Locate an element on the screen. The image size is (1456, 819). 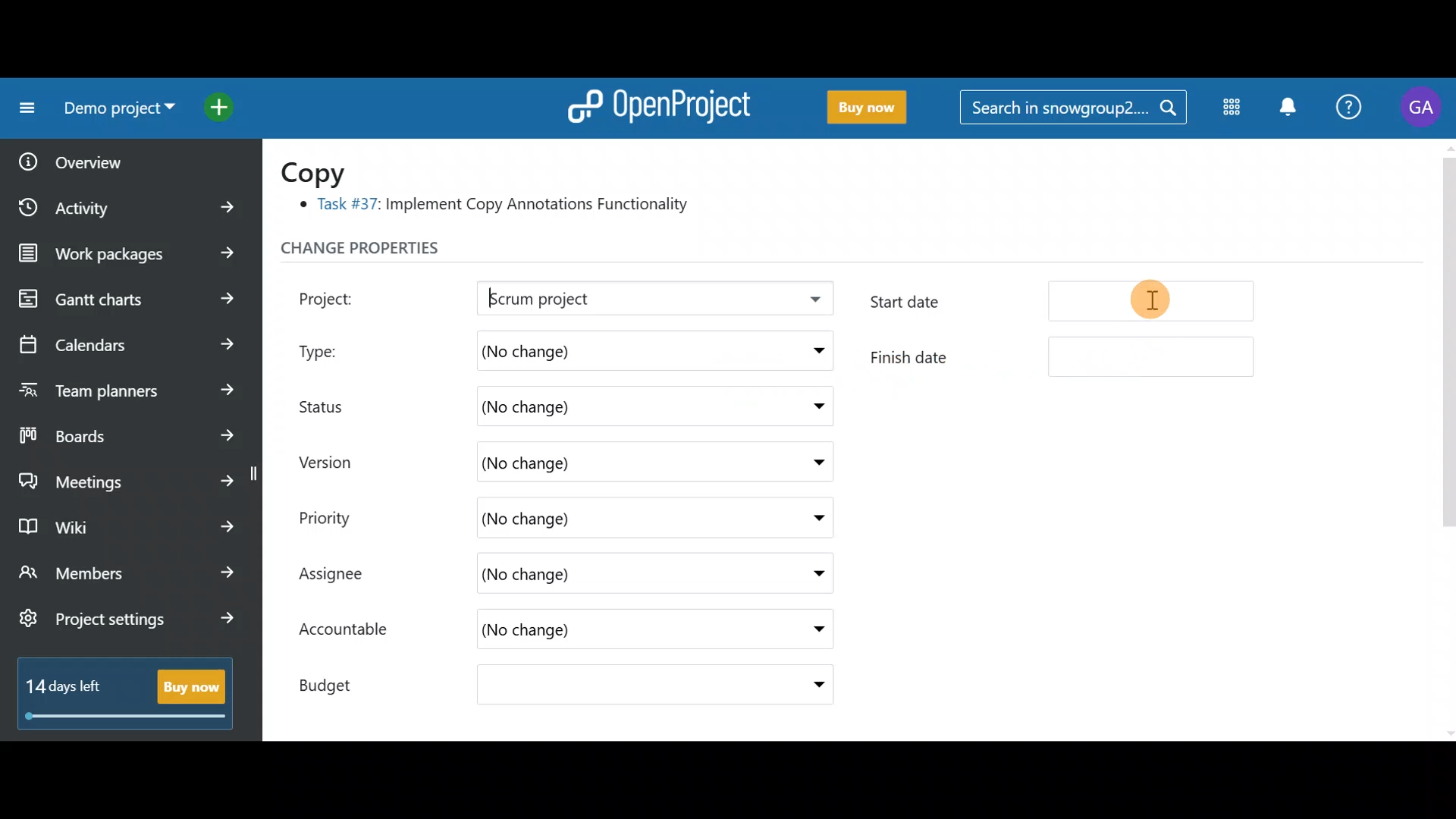
OpenProject is located at coordinates (656, 103).